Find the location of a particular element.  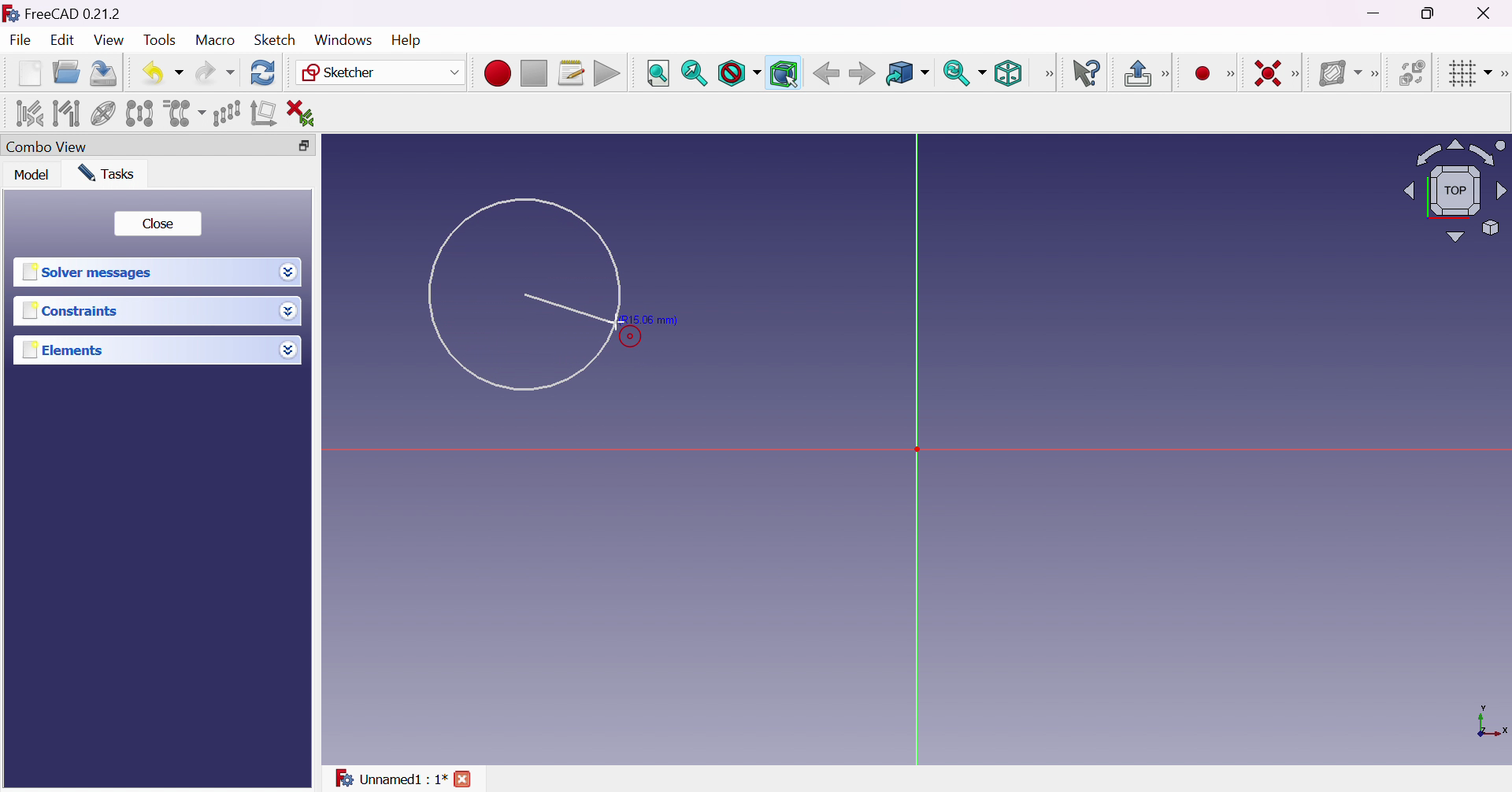

View is located at coordinates (110, 41).